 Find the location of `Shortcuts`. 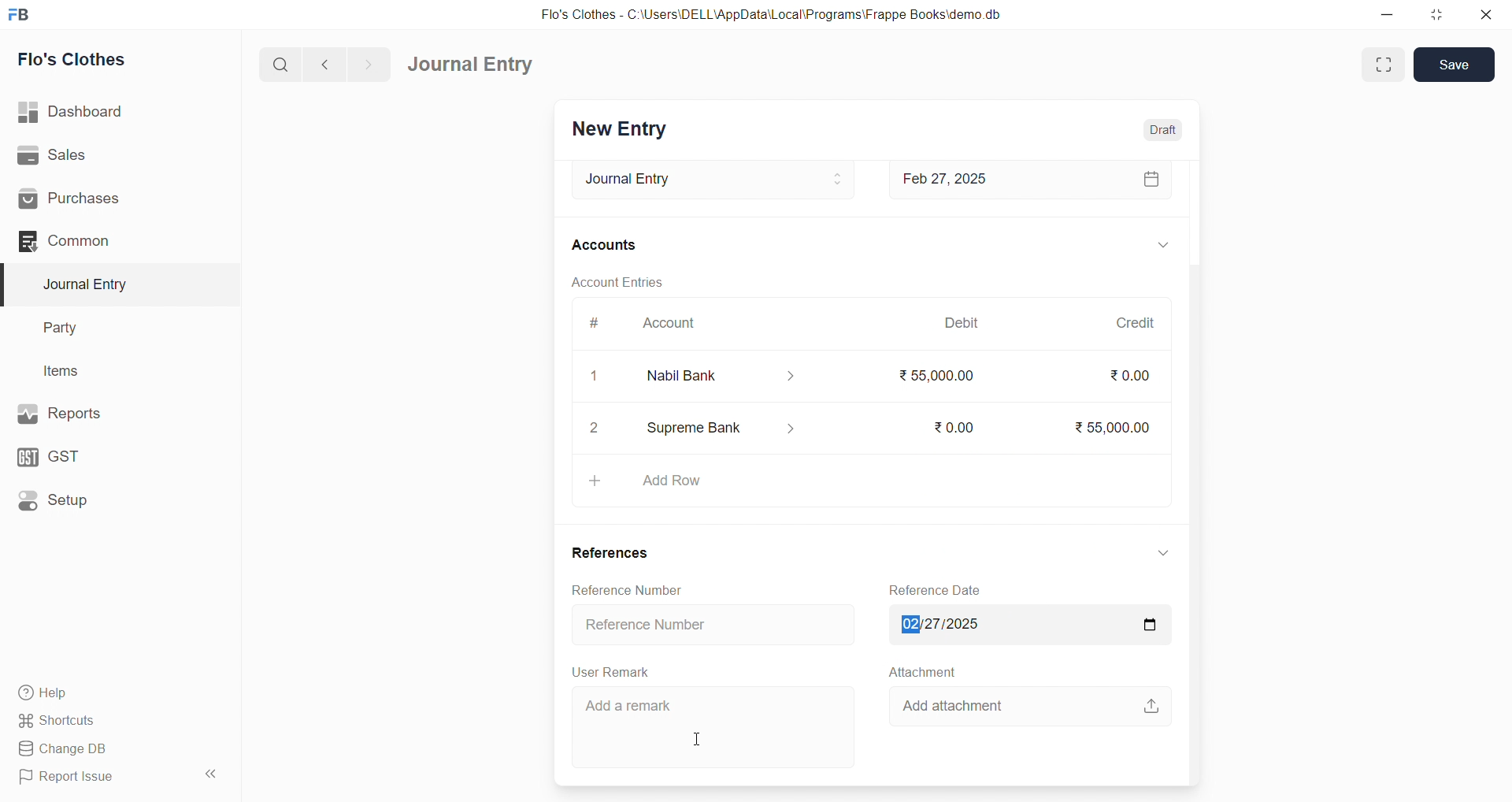

Shortcuts is located at coordinates (95, 722).